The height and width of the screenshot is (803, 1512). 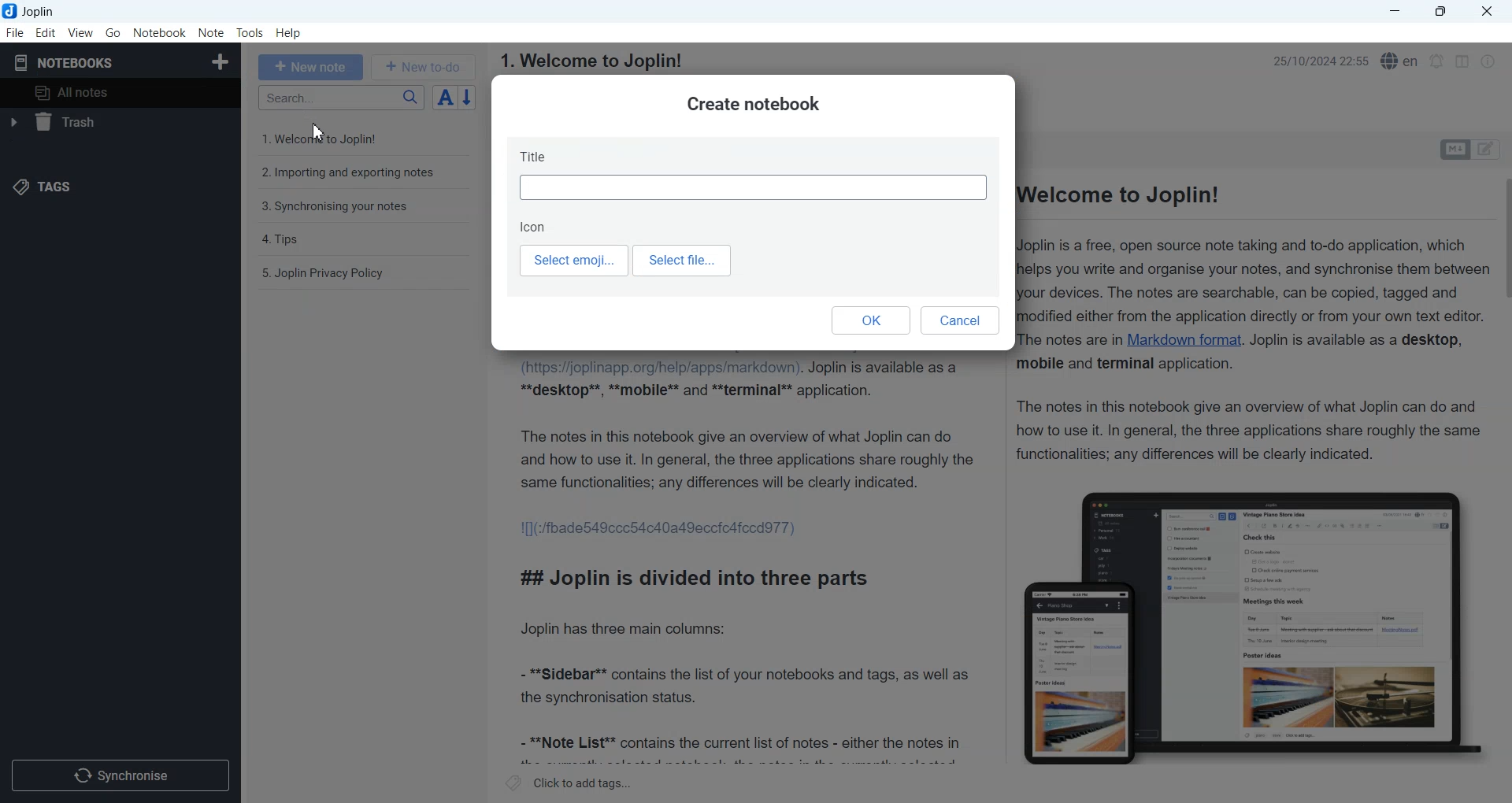 What do you see at coordinates (1401, 61) in the screenshot?
I see `Spell checker` at bounding box center [1401, 61].